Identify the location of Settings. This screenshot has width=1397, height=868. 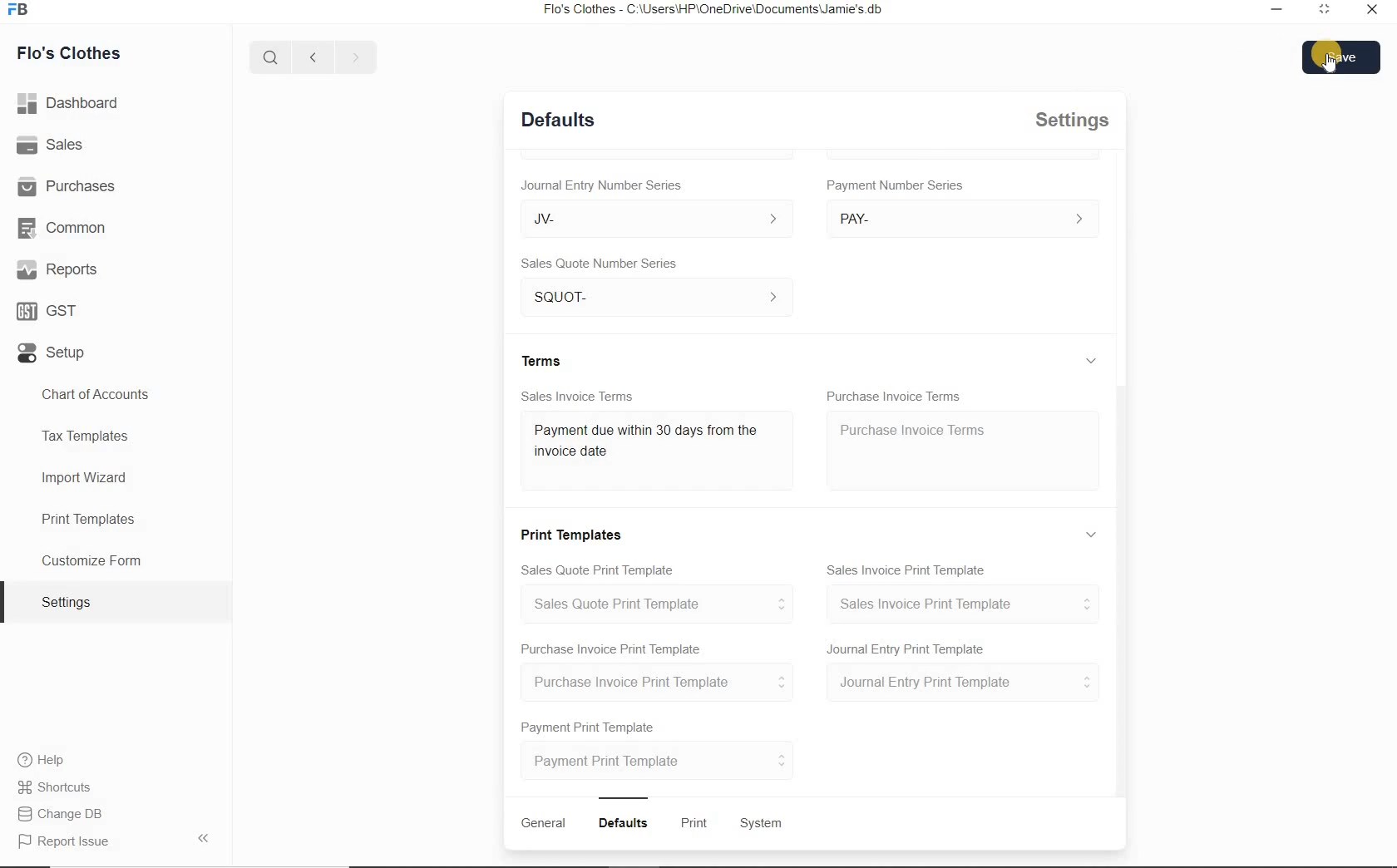
(1070, 120).